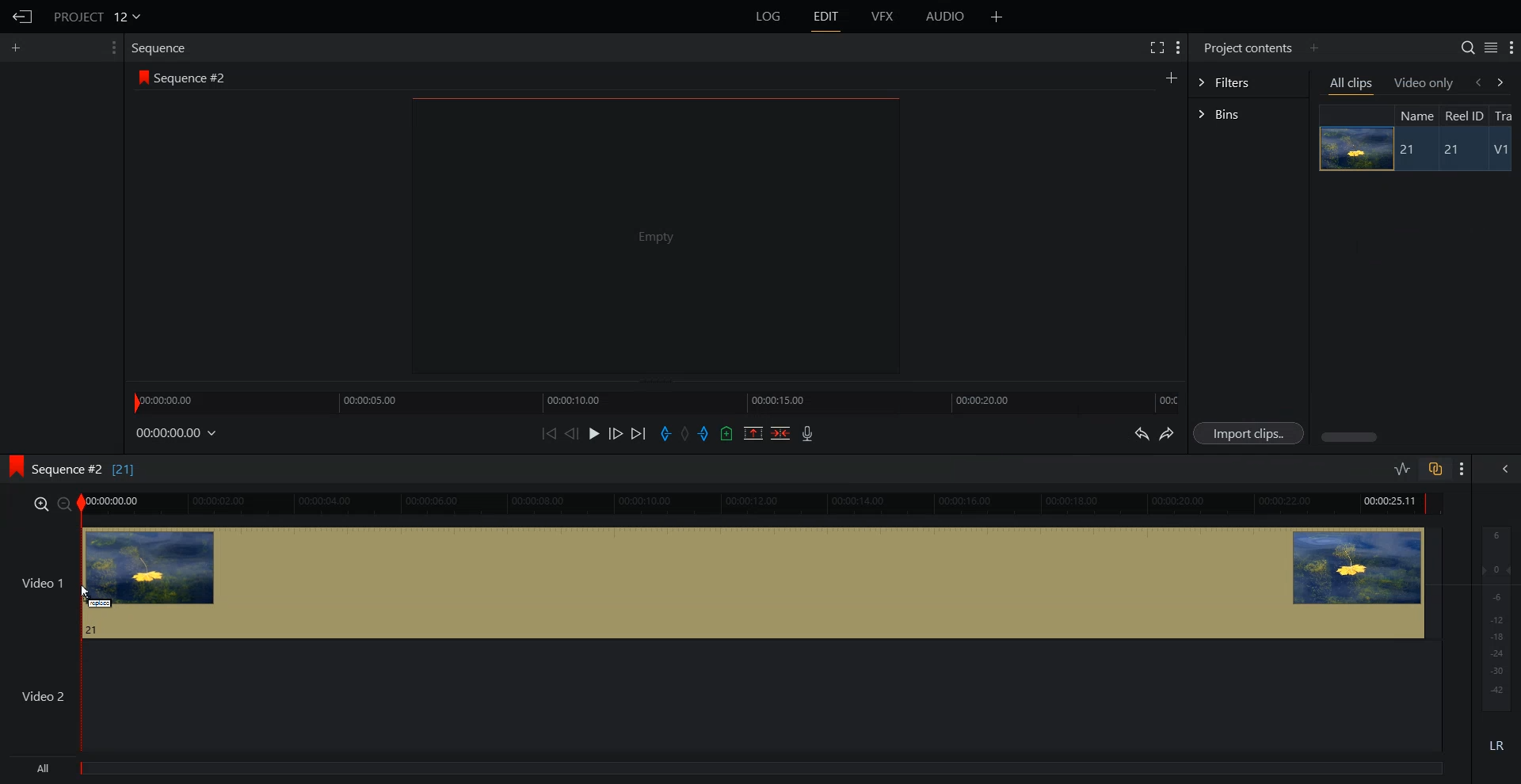 The height and width of the screenshot is (784, 1521). Describe the element at coordinates (1171, 76) in the screenshot. I see `Add Panel` at that location.